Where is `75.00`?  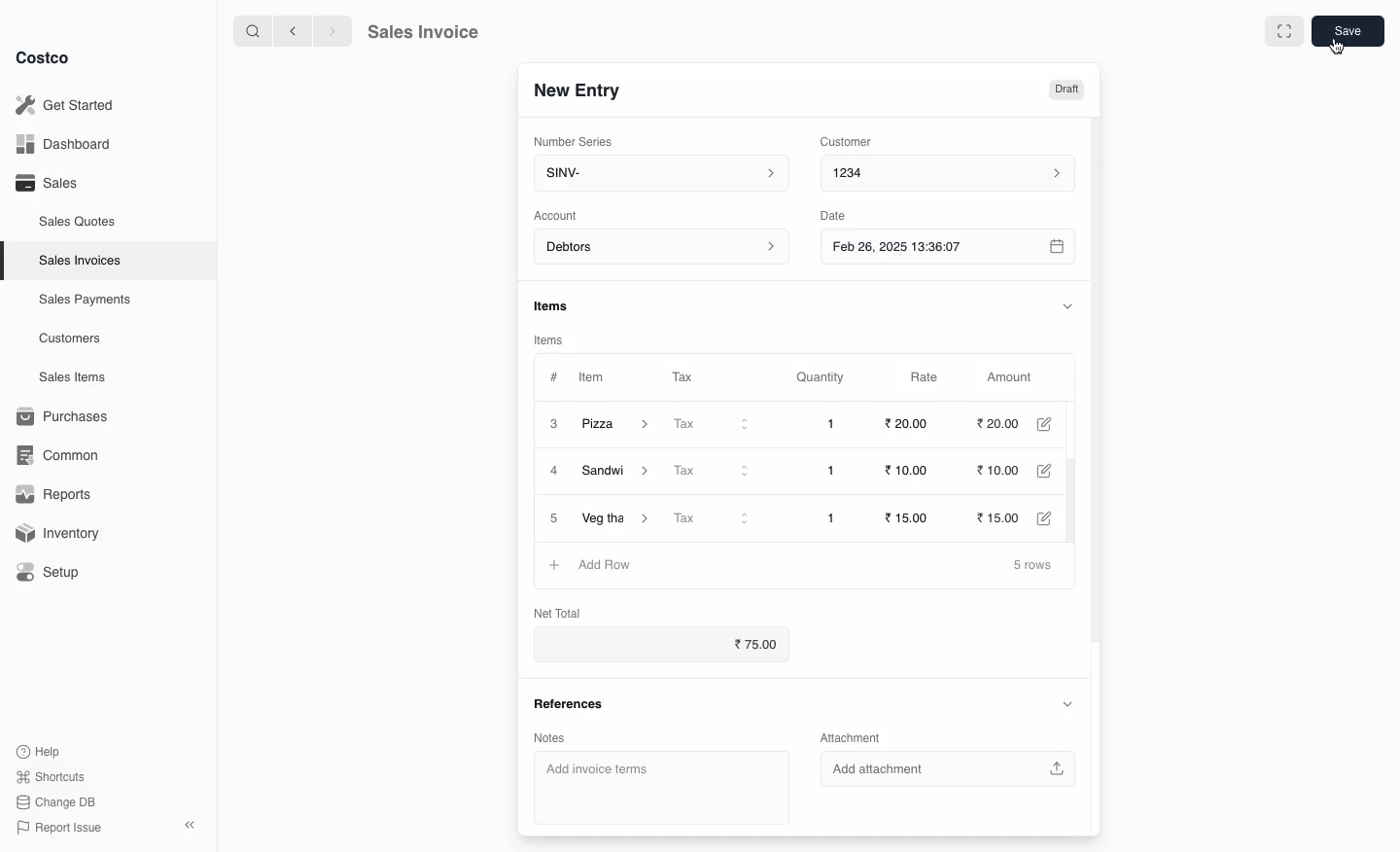
75.00 is located at coordinates (759, 645).